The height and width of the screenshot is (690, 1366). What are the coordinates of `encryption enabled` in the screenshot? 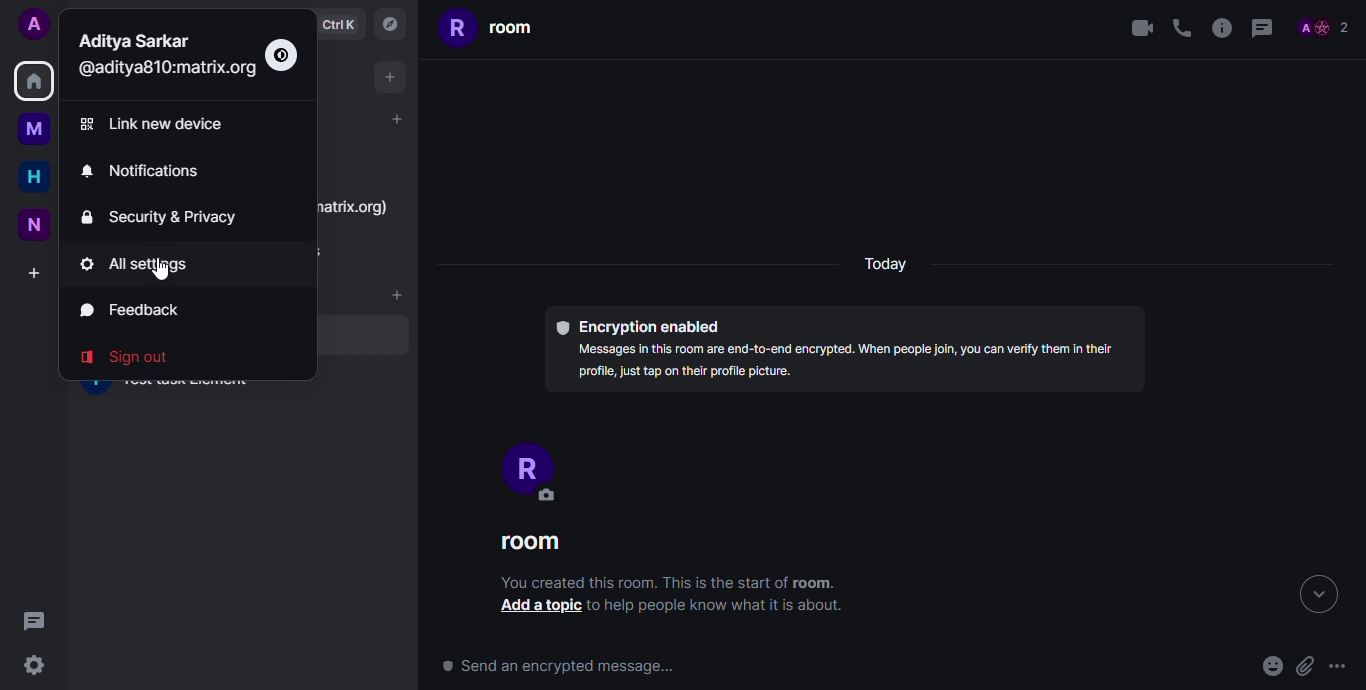 It's located at (637, 325).